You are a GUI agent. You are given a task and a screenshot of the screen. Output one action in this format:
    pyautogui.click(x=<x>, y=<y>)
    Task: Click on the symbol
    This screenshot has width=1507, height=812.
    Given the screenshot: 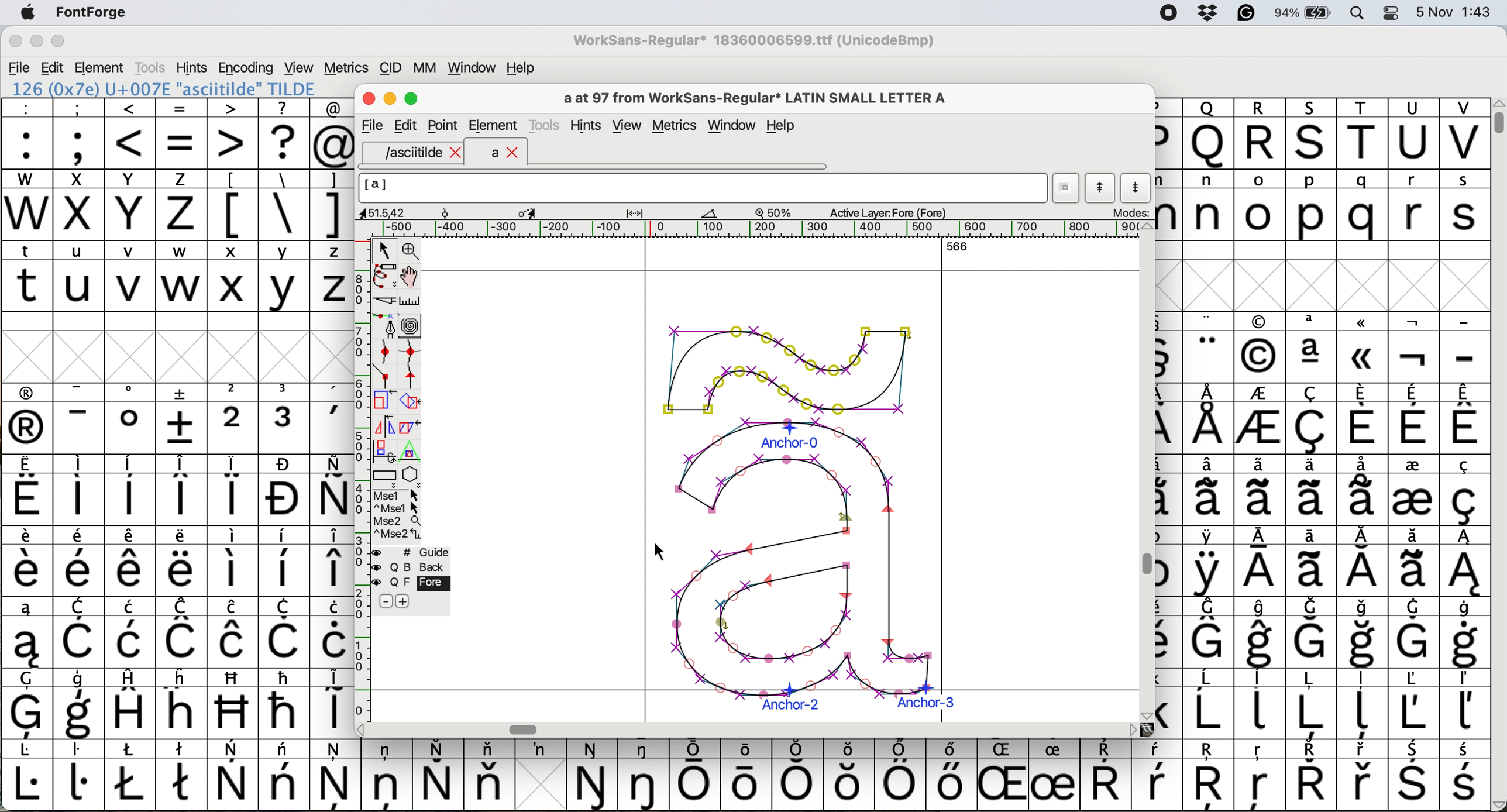 What is the action you would take?
    pyautogui.click(x=800, y=774)
    